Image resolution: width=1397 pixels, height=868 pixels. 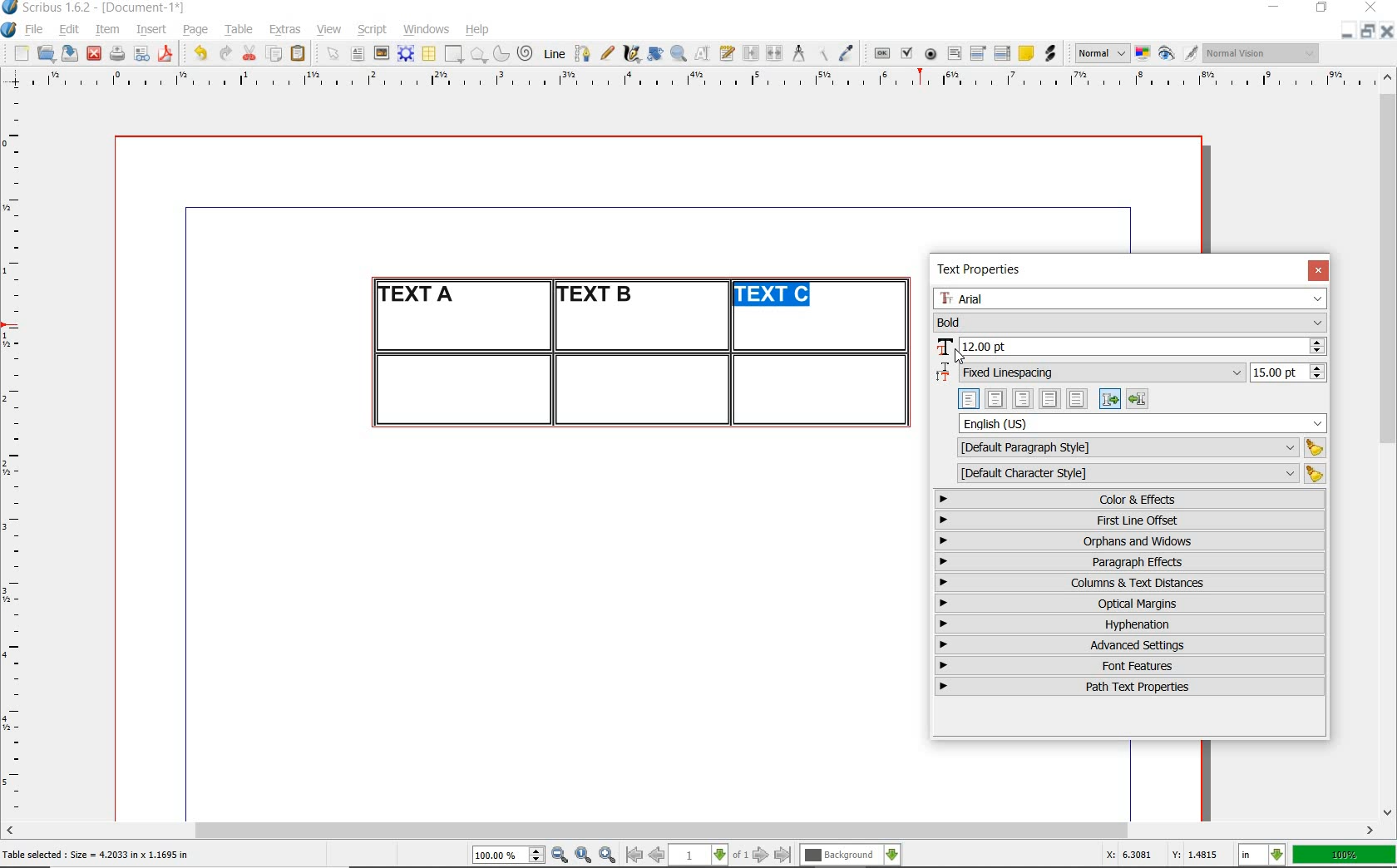 What do you see at coordinates (1003, 53) in the screenshot?
I see `pdf list box` at bounding box center [1003, 53].